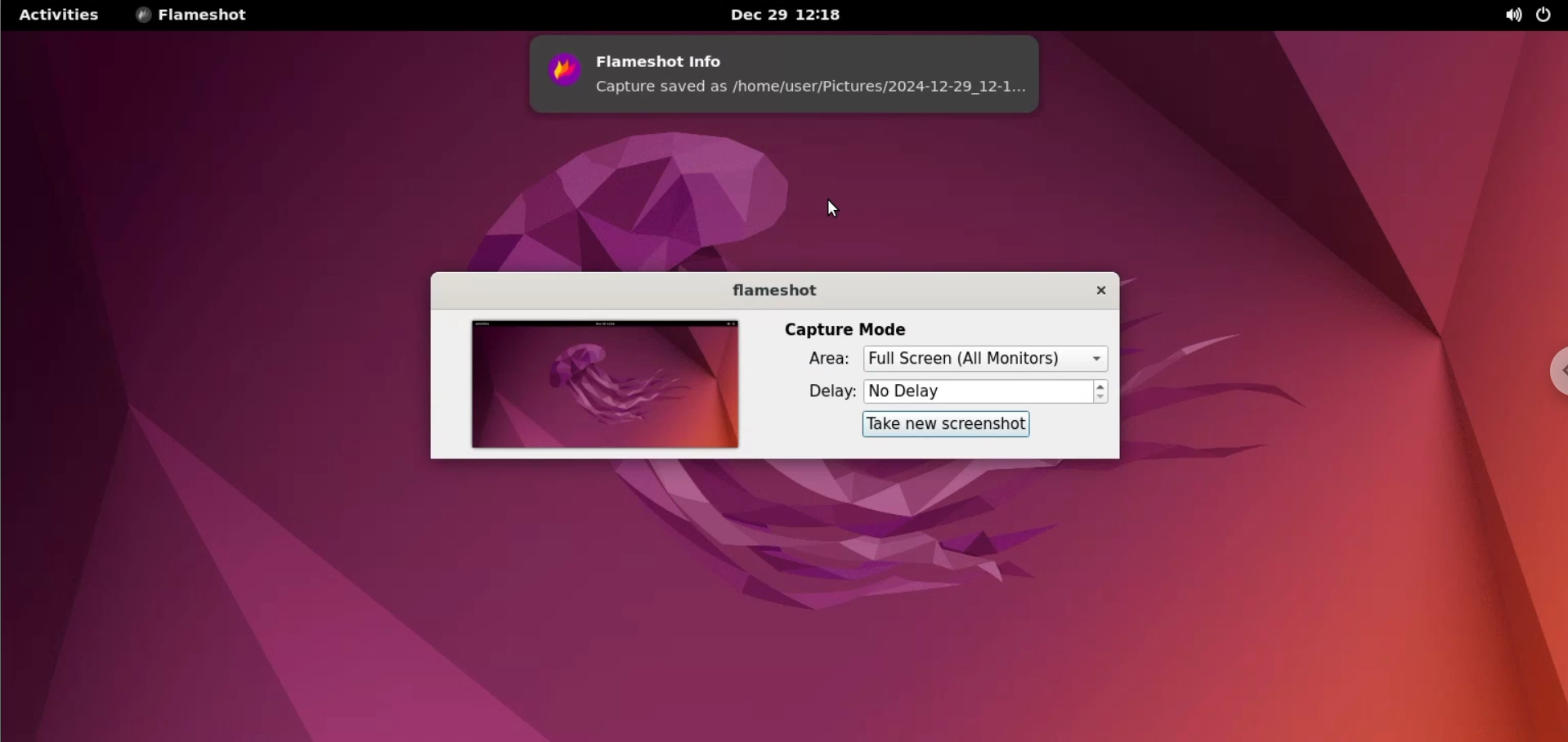  Describe the element at coordinates (788, 16) in the screenshot. I see `Date and time Dec 29 12:18` at that location.